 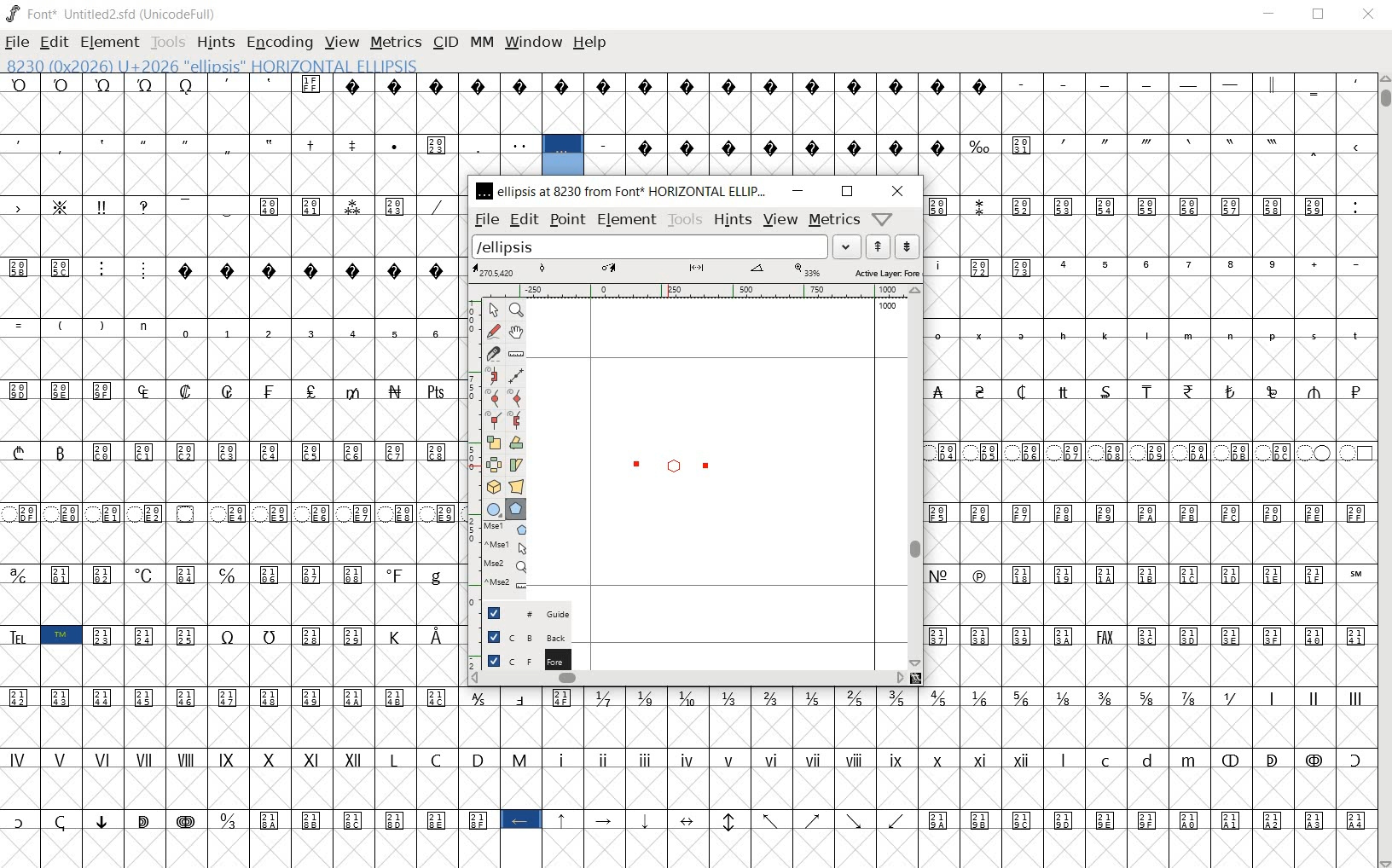 I want to click on glyph characters, so click(x=1148, y=438).